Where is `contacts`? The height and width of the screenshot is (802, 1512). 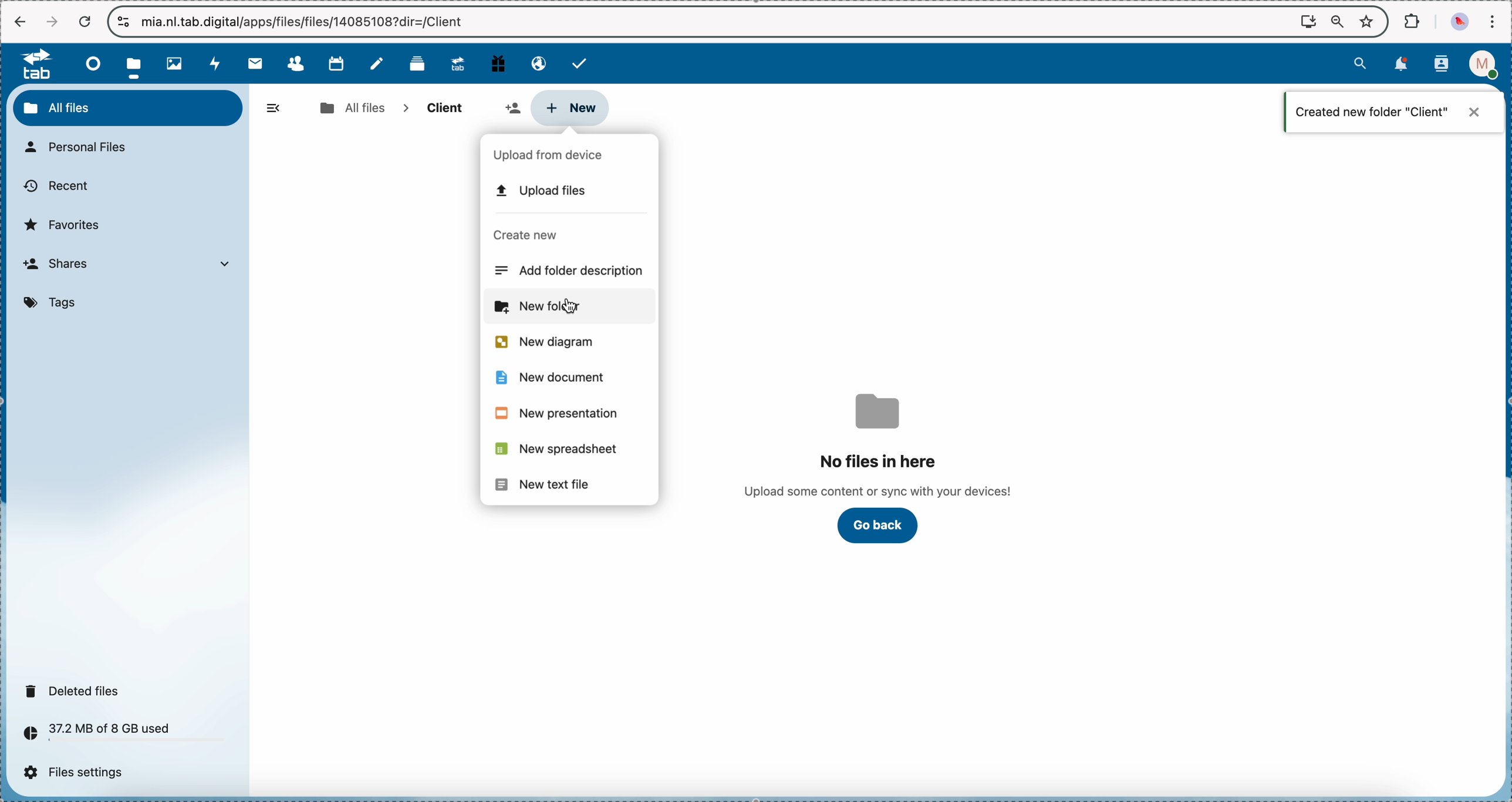 contacts is located at coordinates (1442, 65).